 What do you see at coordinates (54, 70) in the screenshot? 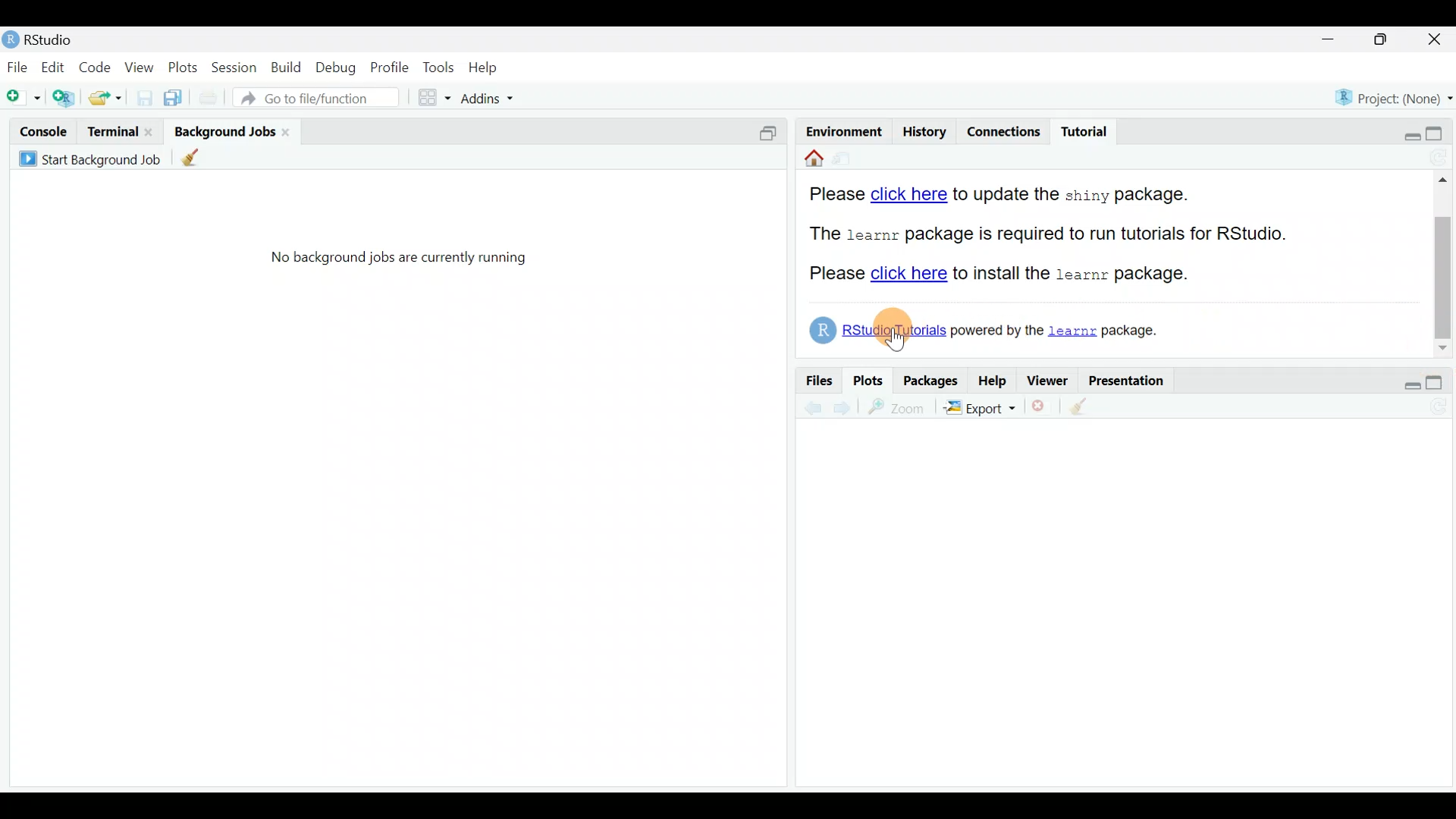
I see `Edit` at bounding box center [54, 70].